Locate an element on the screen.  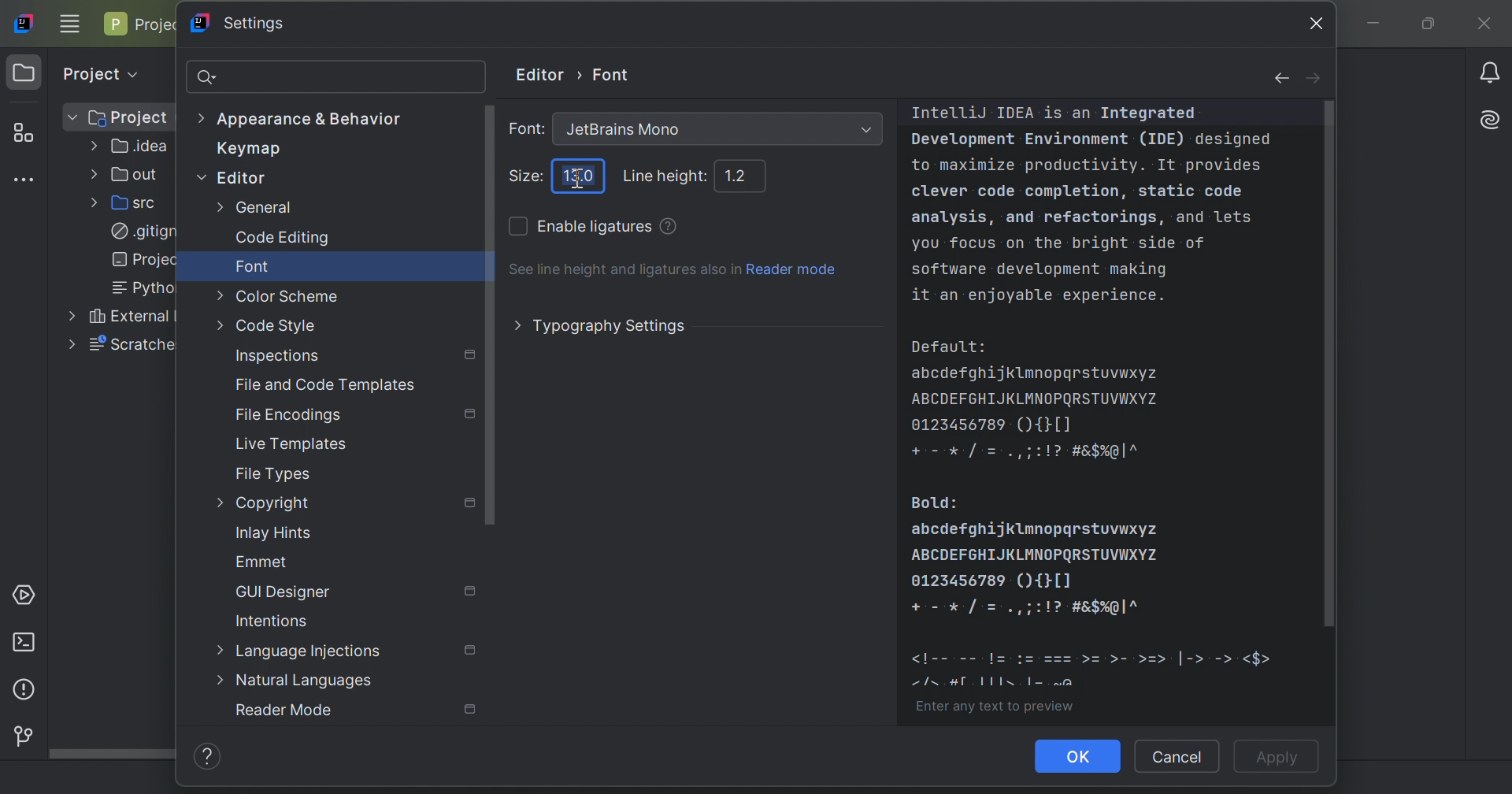
out is located at coordinates (128, 175).